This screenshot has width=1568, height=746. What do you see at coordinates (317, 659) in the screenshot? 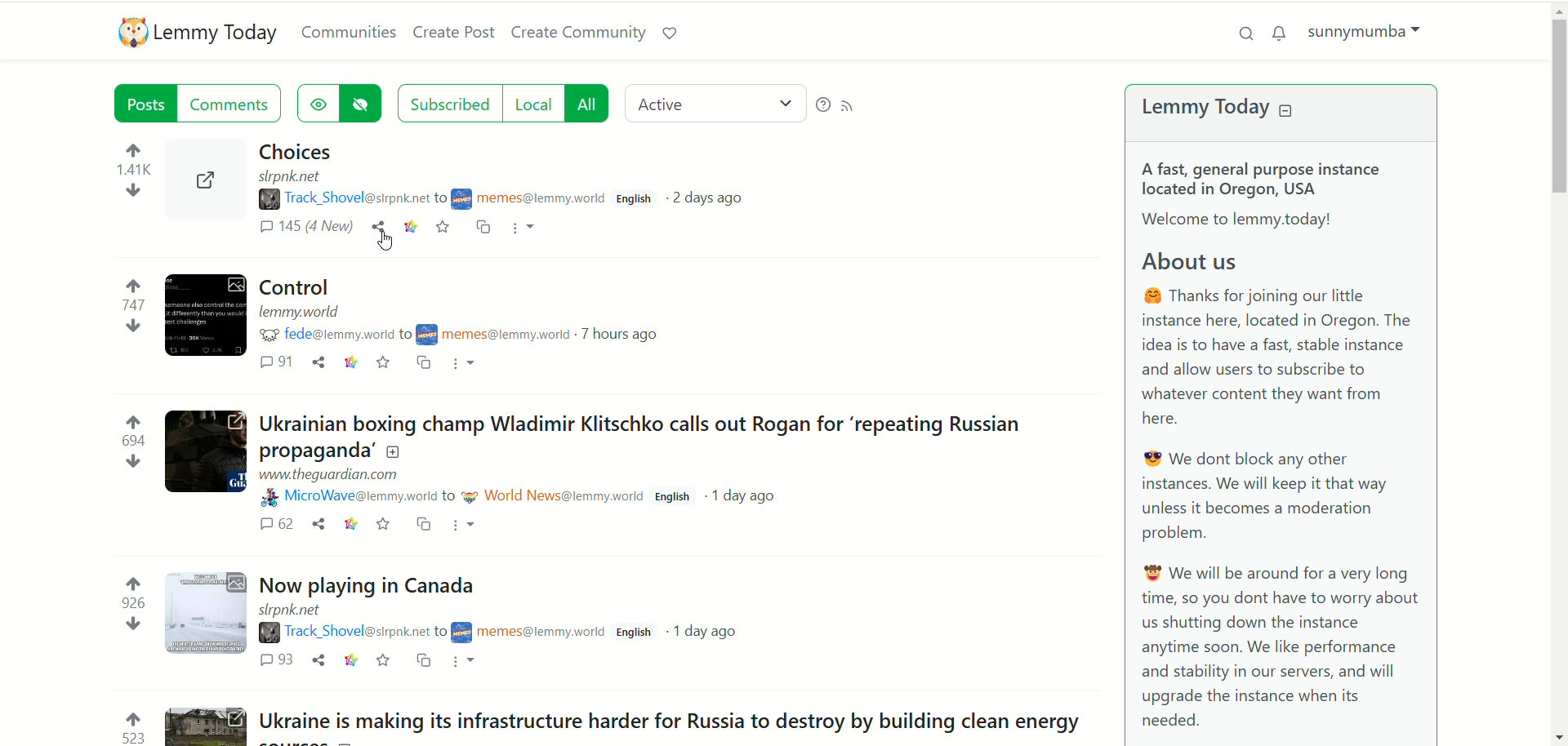
I see `share` at bounding box center [317, 659].